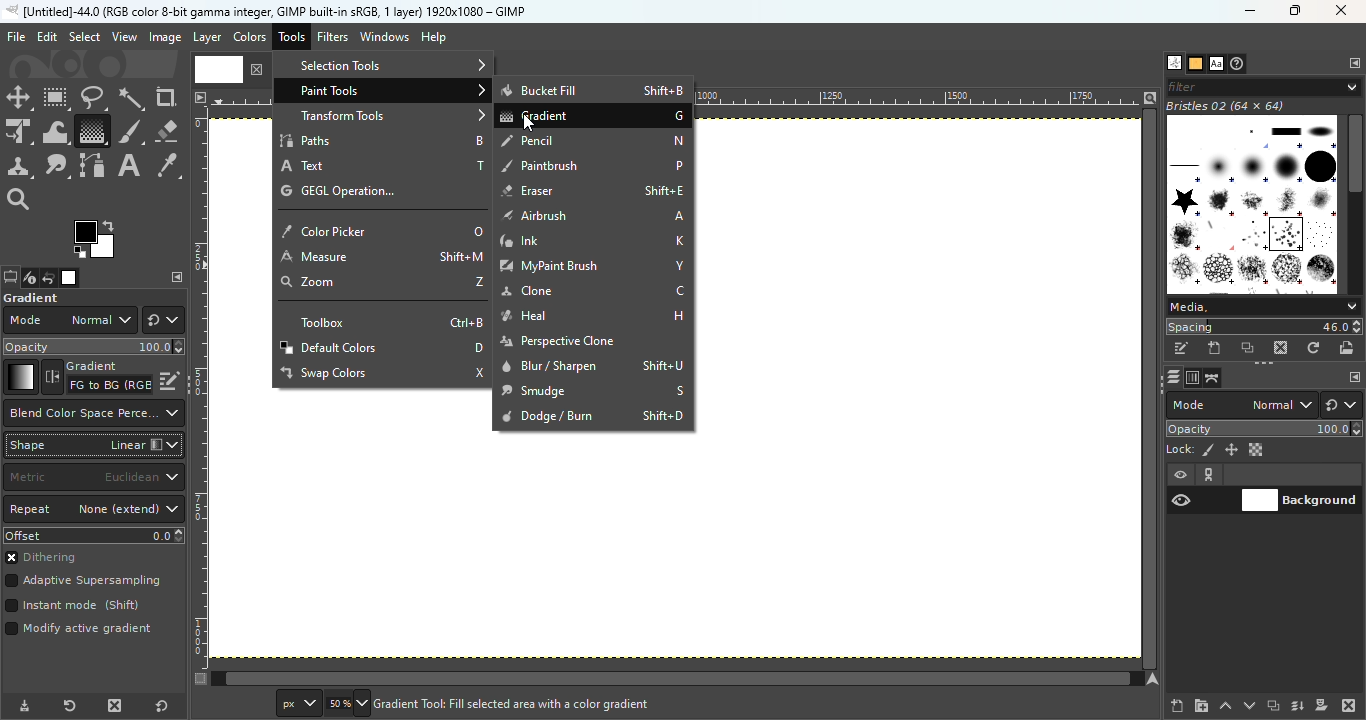  Describe the element at coordinates (20, 197) in the screenshot. I see `Zoom tool` at that location.